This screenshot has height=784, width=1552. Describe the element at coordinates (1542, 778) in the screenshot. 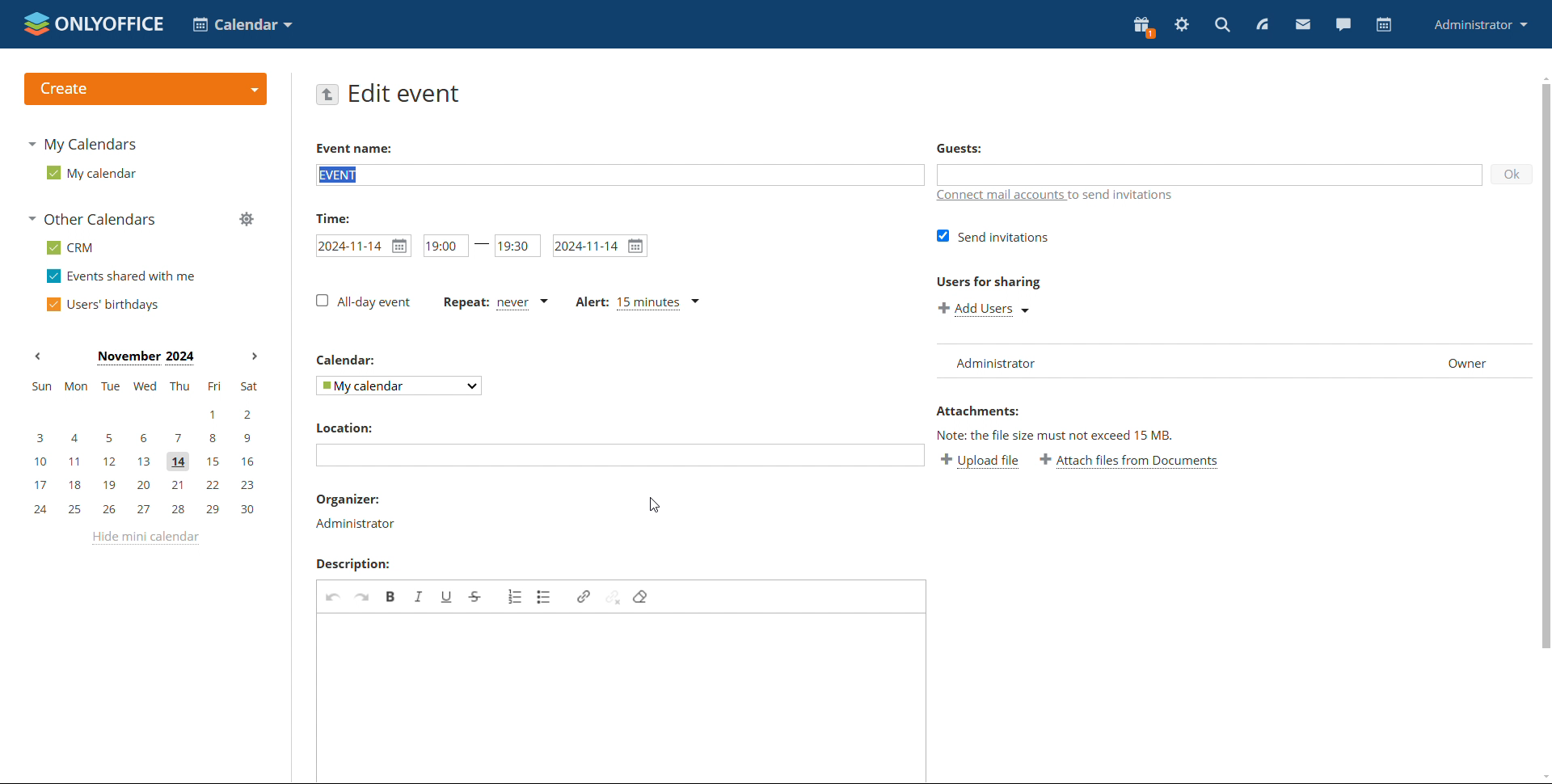

I see `scroll down` at that location.